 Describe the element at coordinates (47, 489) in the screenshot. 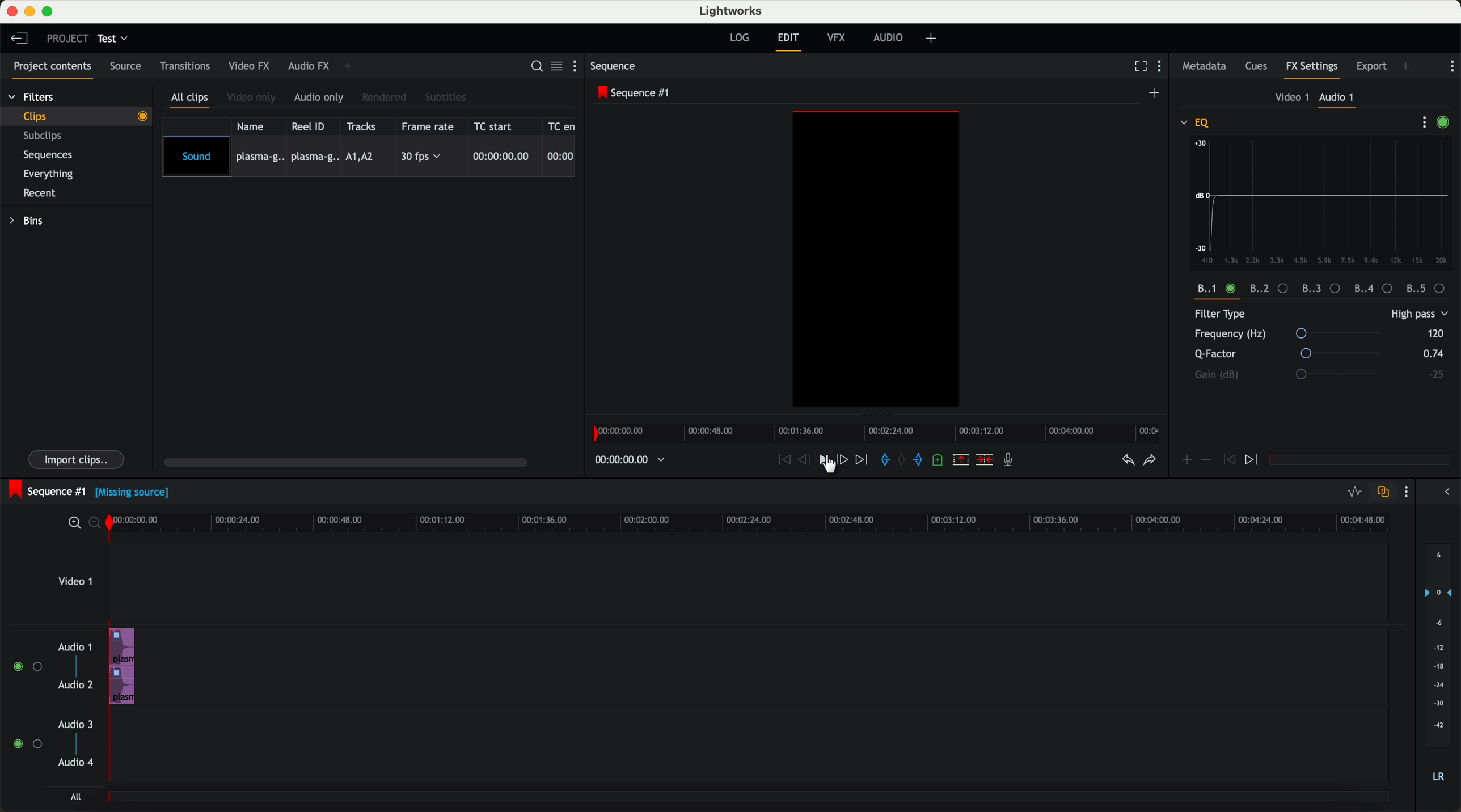

I see `sequence #1` at that location.